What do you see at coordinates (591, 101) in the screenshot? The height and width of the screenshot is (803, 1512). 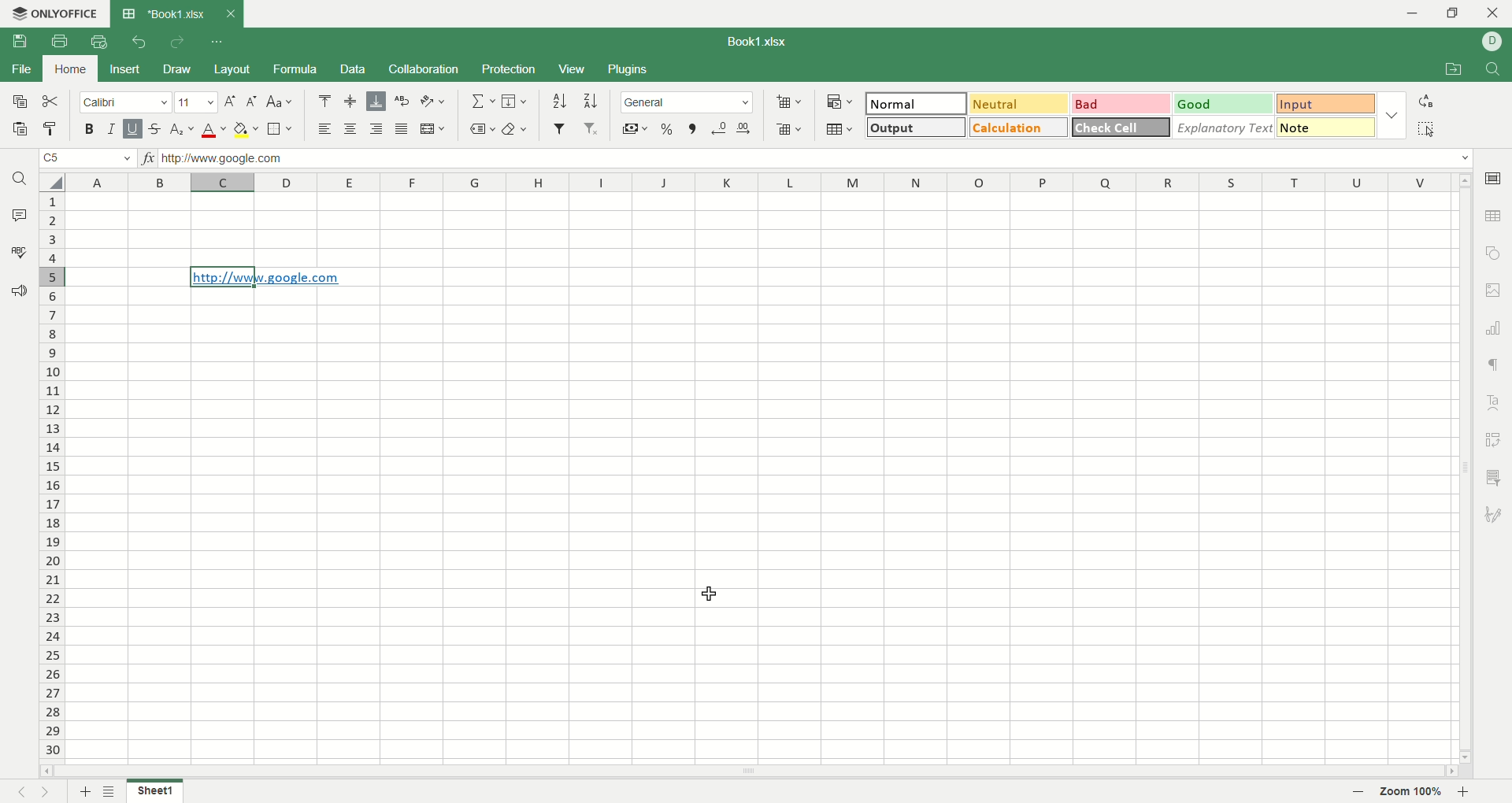 I see `sort descending` at bounding box center [591, 101].